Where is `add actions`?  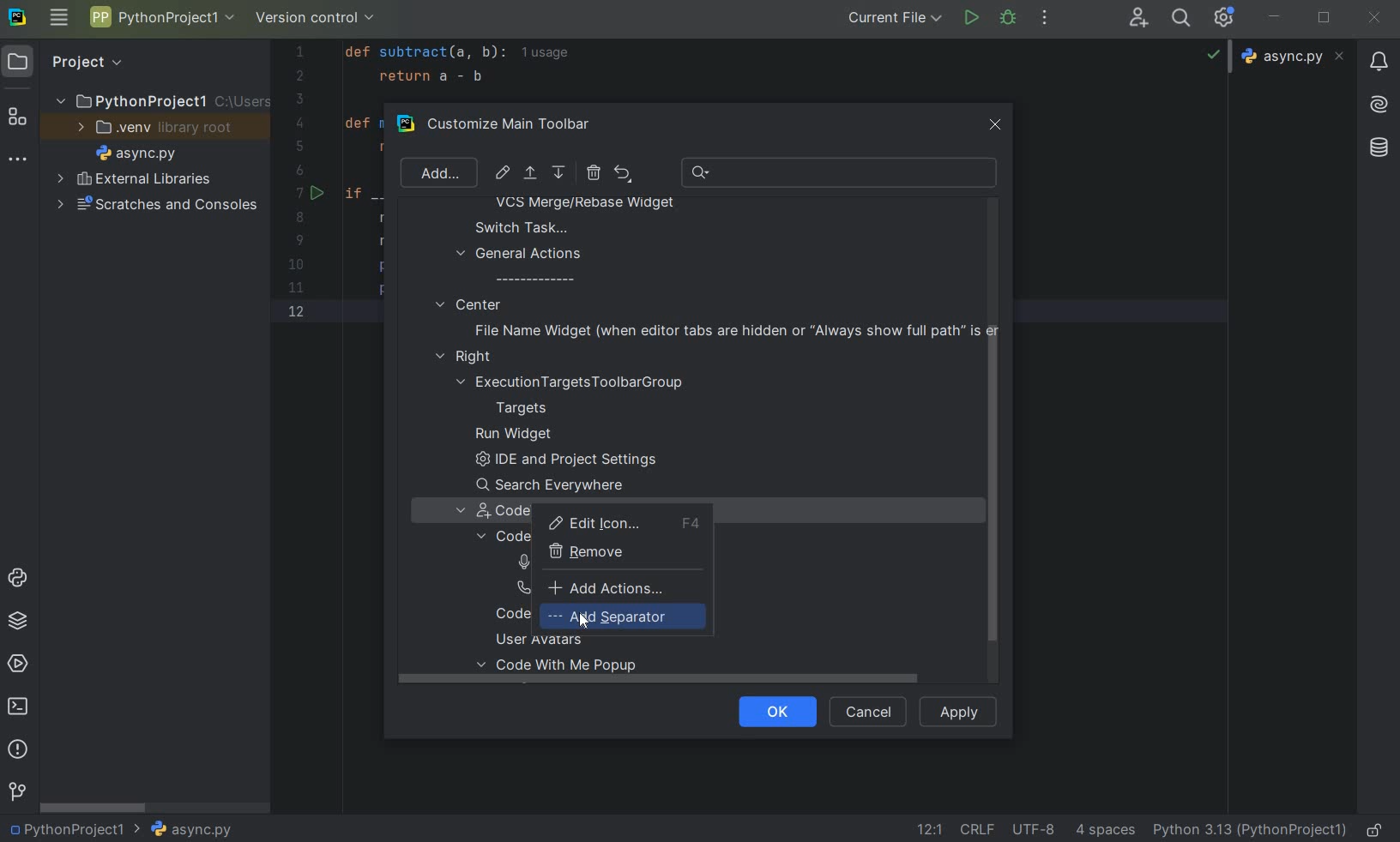
add actions is located at coordinates (607, 587).